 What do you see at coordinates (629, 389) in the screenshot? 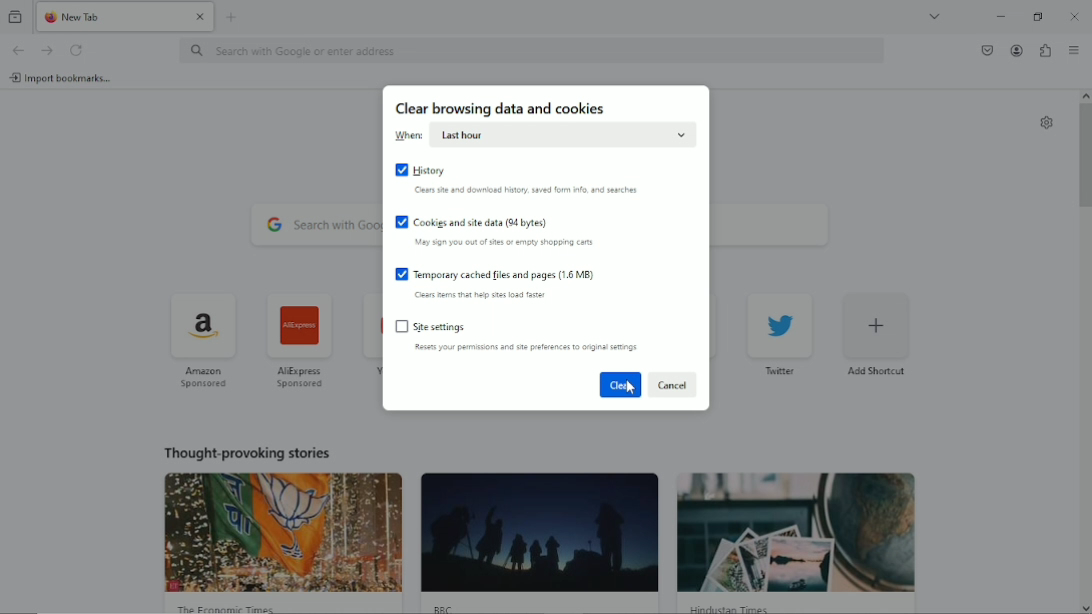
I see `cursor` at bounding box center [629, 389].